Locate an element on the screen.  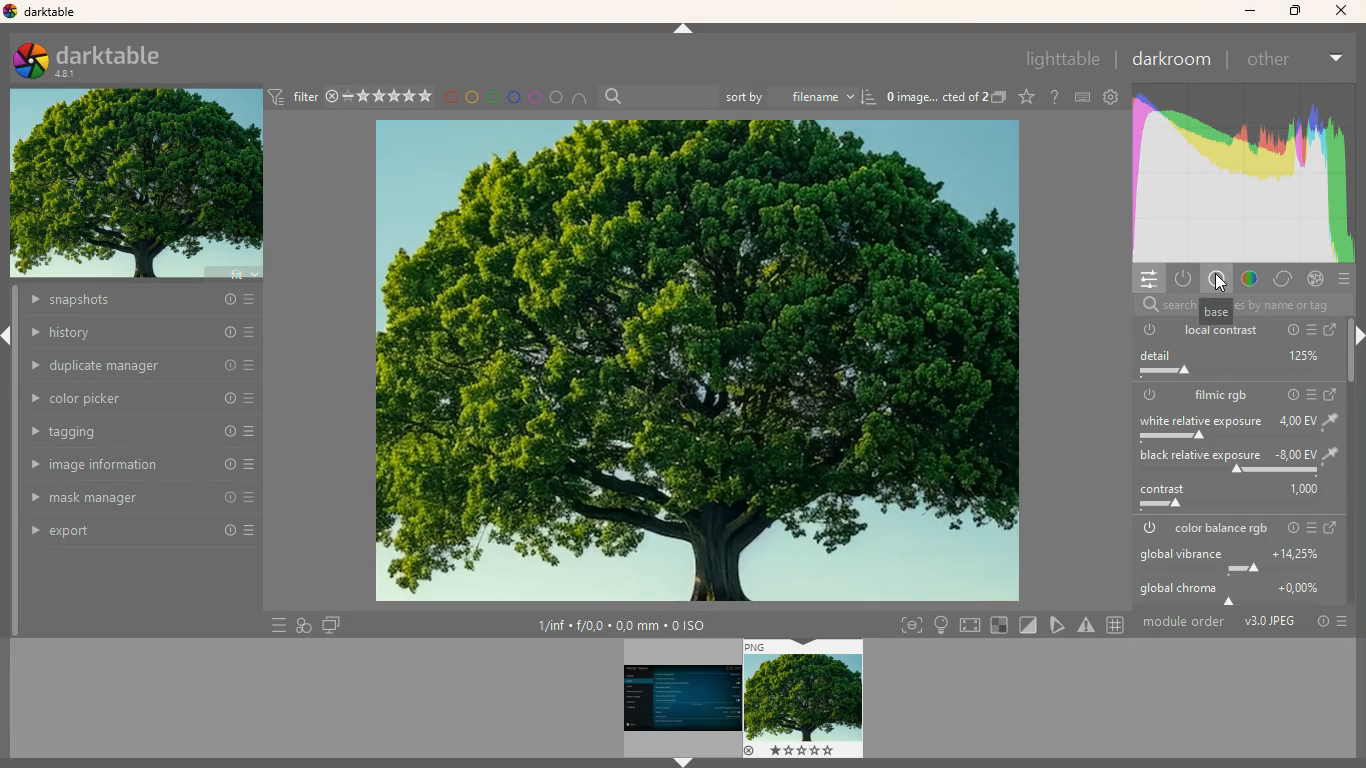
other is located at coordinates (1274, 62).